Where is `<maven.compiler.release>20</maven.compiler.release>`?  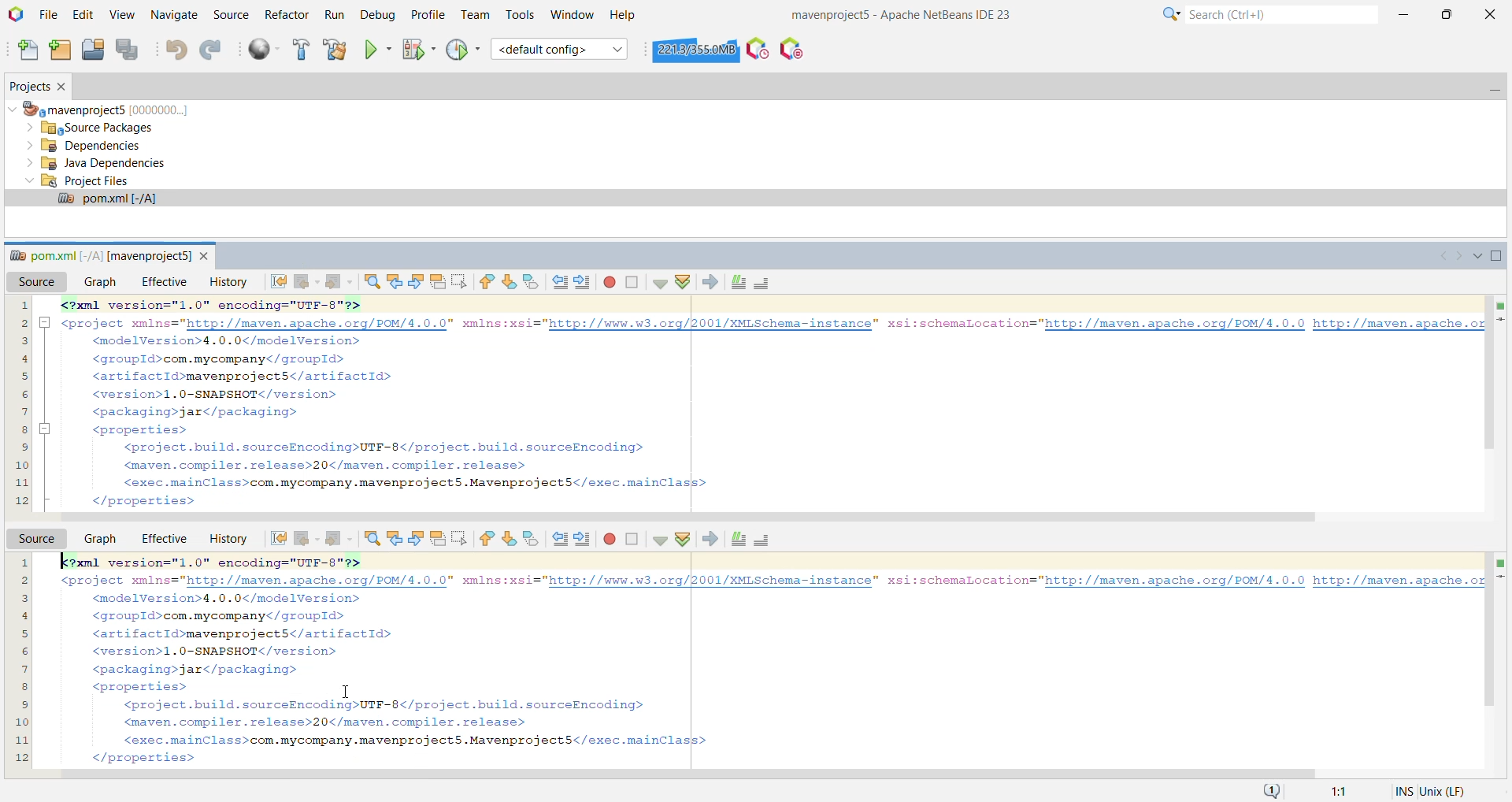 <maven.compiler.release>20</maven.compiler.release> is located at coordinates (331, 723).